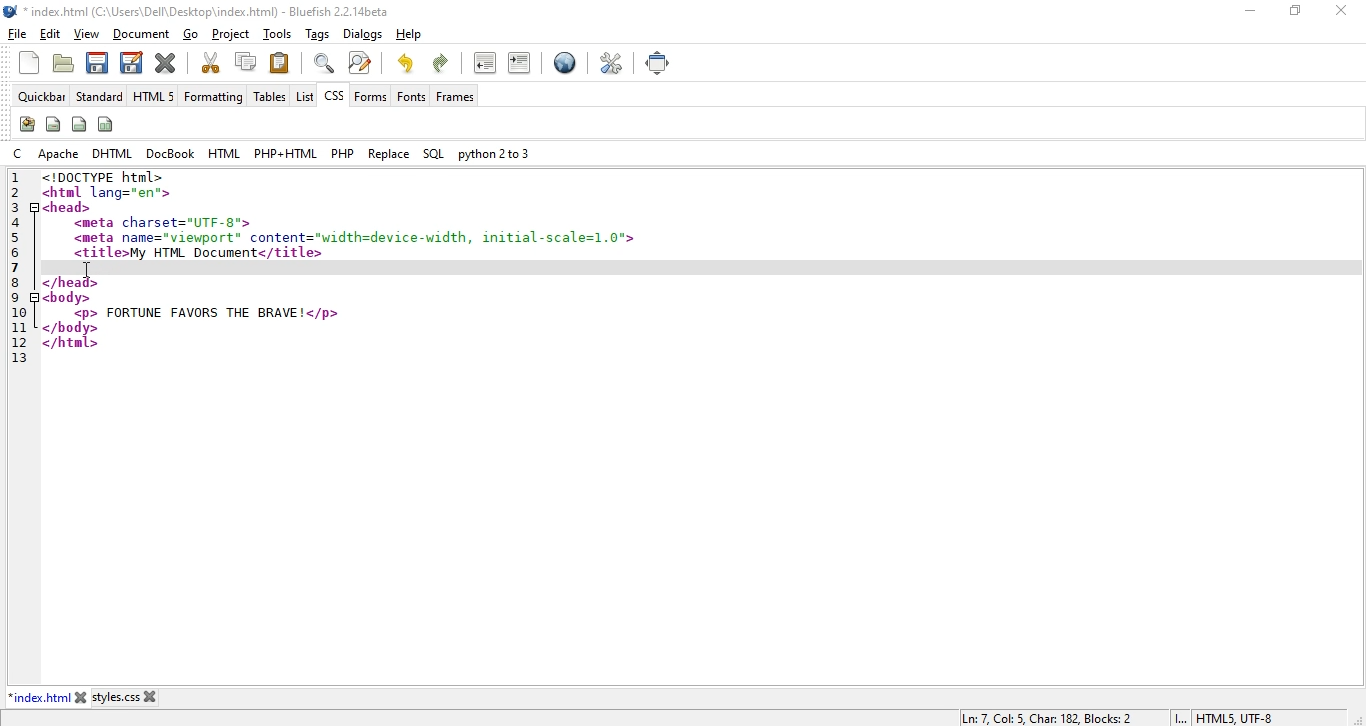  I want to click on edit, so click(50, 35).